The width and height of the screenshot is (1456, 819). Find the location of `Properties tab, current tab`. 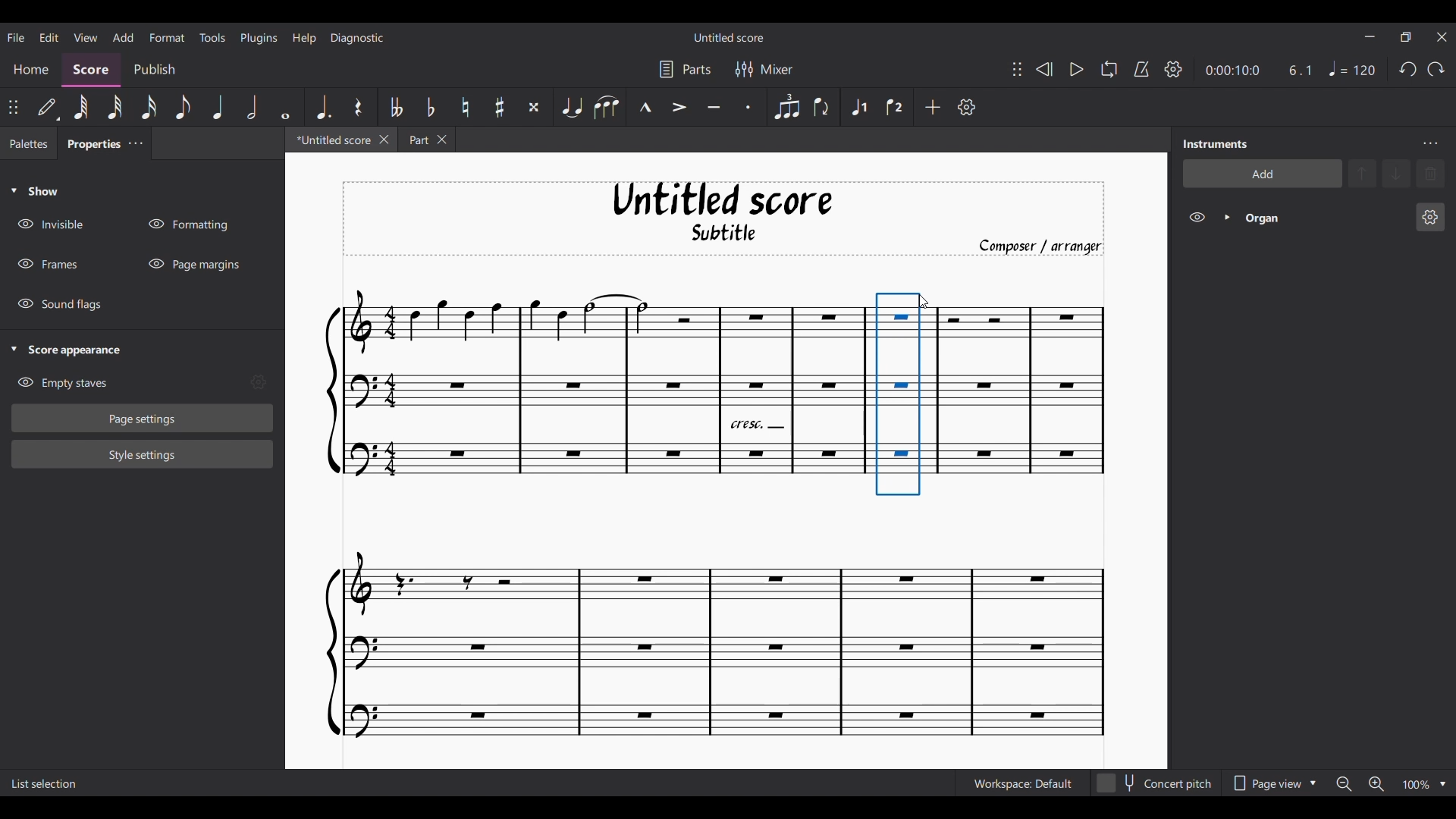

Properties tab, current tab is located at coordinates (90, 143).